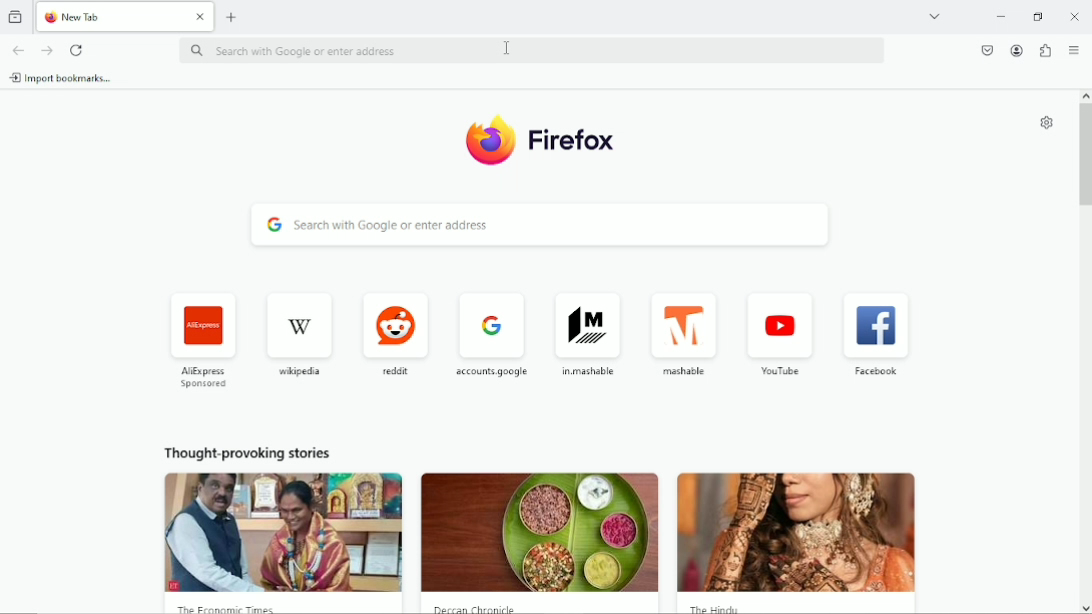 Image resolution: width=1092 pixels, height=614 pixels. What do you see at coordinates (299, 333) in the screenshot?
I see `wikipedia` at bounding box center [299, 333].